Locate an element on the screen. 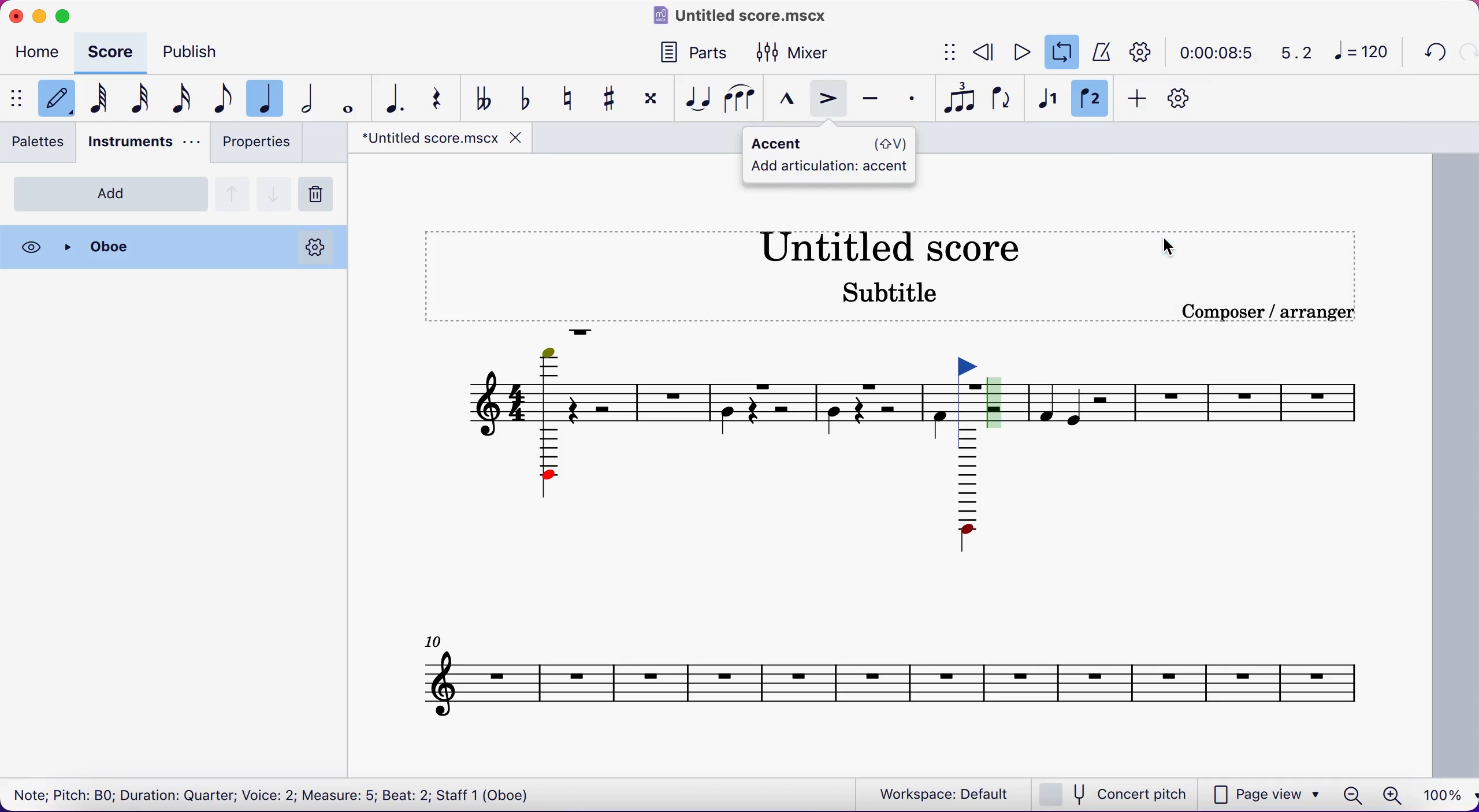 Image resolution: width=1479 pixels, height=812 pixels. "Untitled score.mscx is located at coordinates (427, 139).